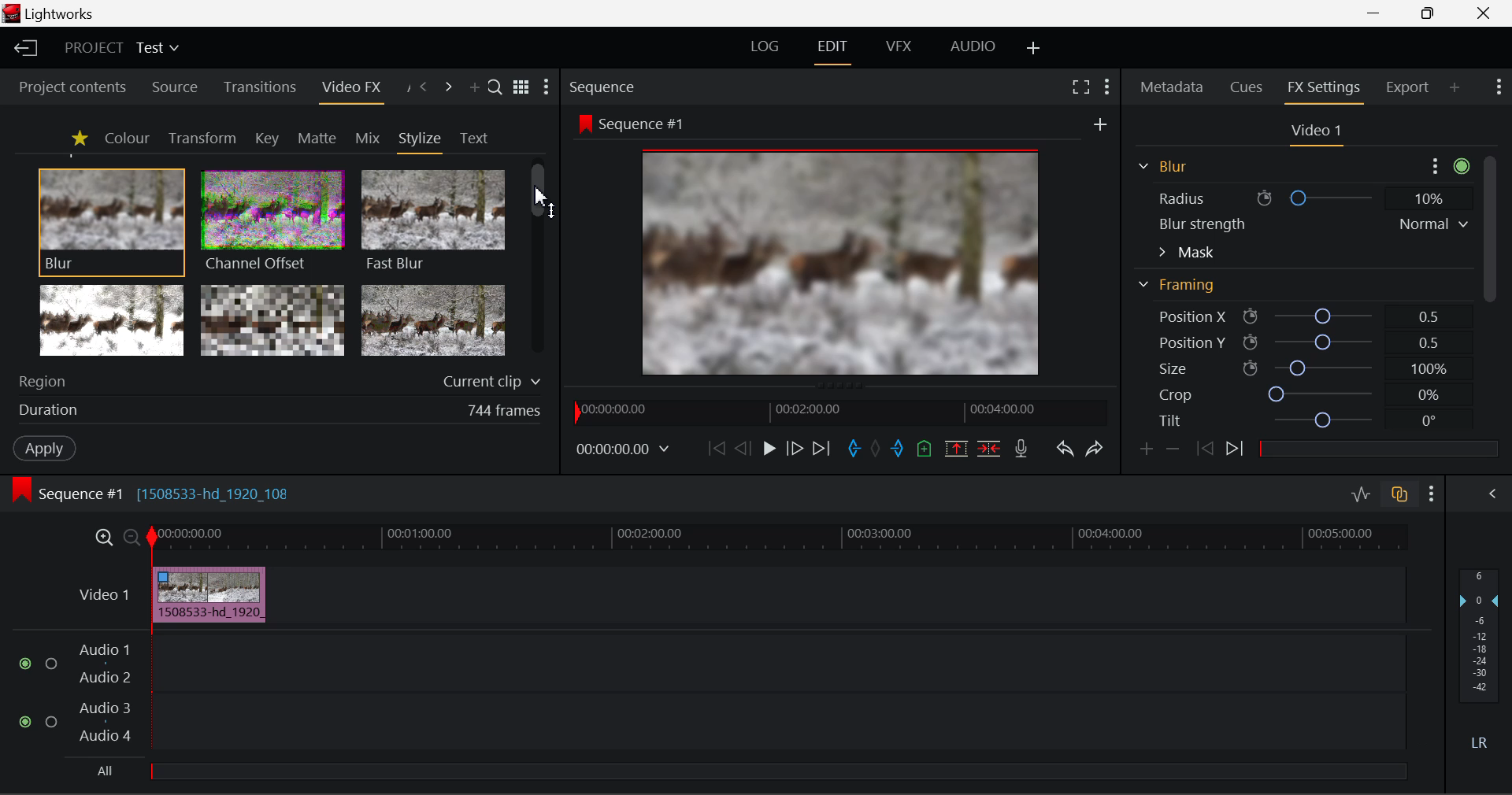 The height and width of the screenshot is (795, 1512). Describe the element at coordinates (1407, 84) in the screenshot. I see `Export` at that location.